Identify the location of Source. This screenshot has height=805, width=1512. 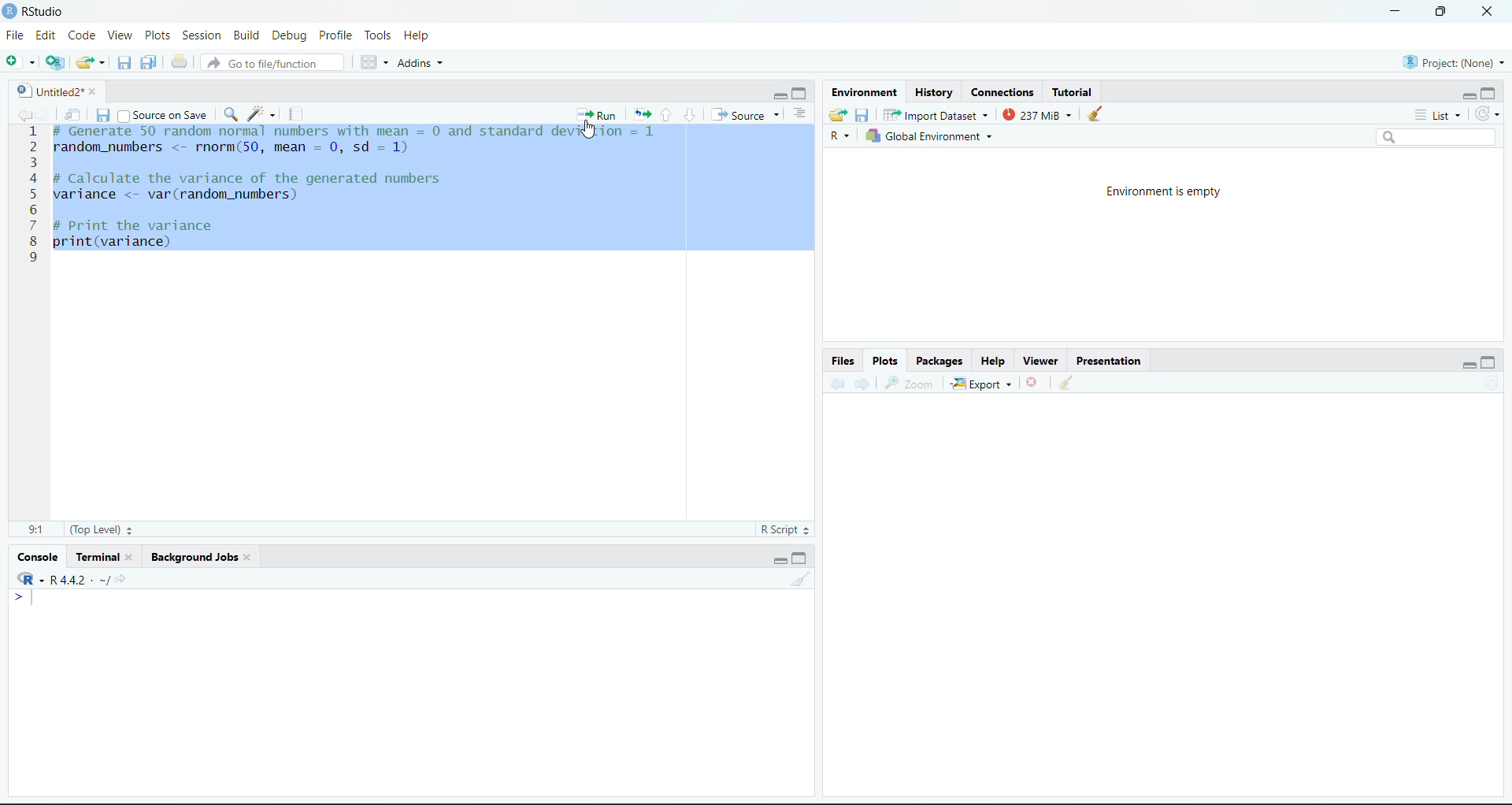
(746, 114).